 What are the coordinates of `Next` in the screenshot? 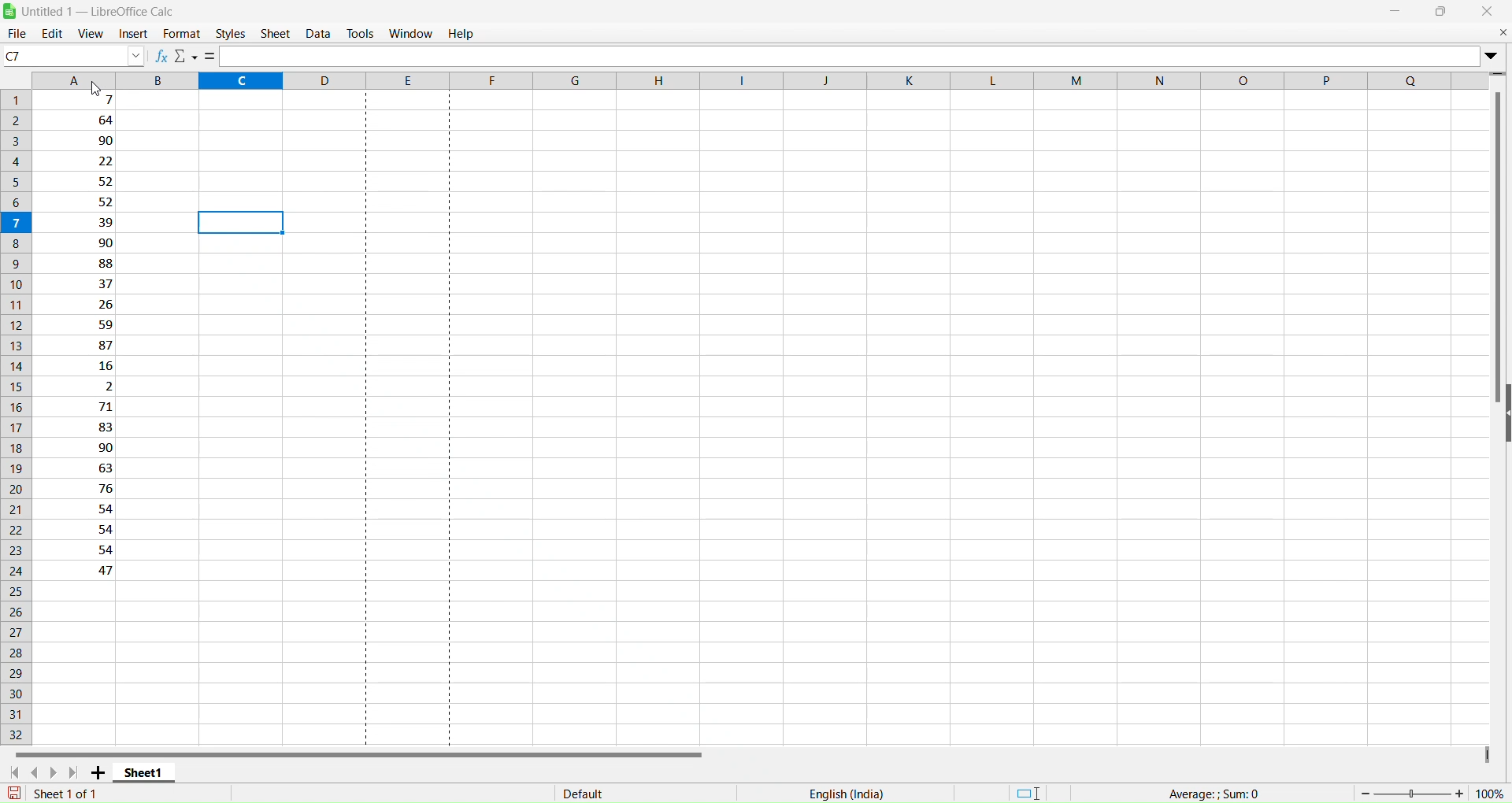 It's located at (57, 772).